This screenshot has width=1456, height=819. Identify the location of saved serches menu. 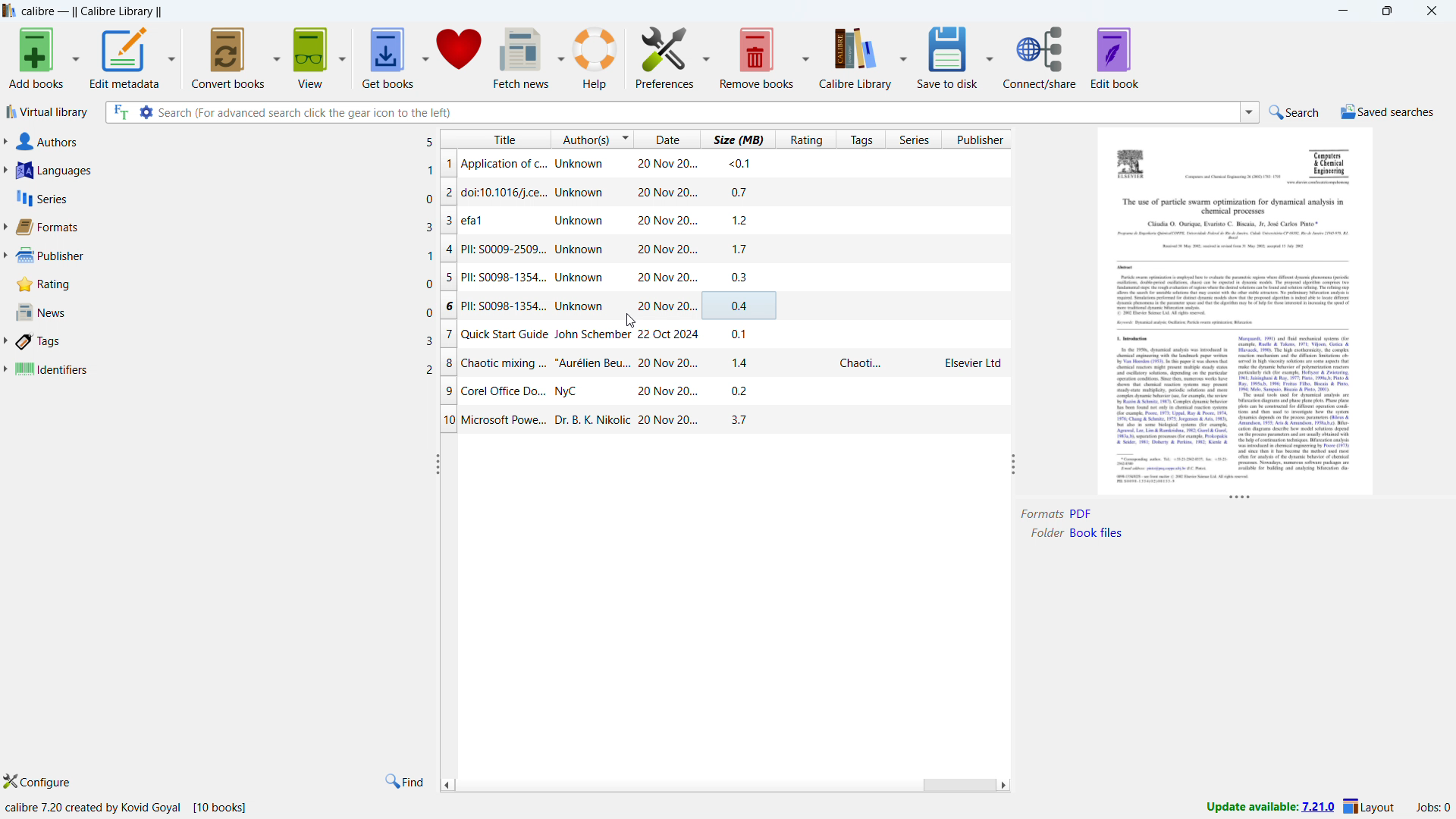
(1388, 114).